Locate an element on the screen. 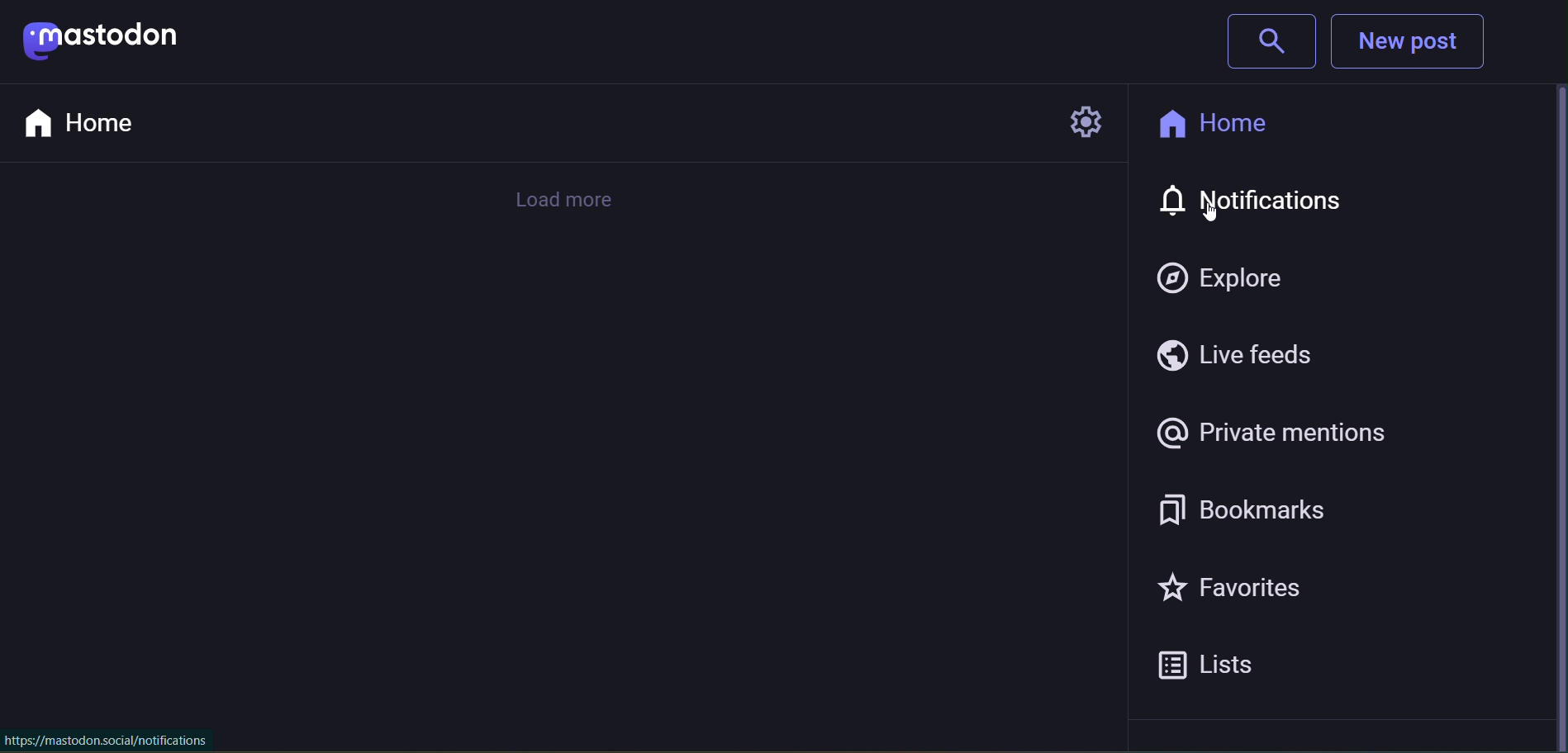 This screenshot has height=753, width=1568. mastodon is located at coordinates (150, 41).